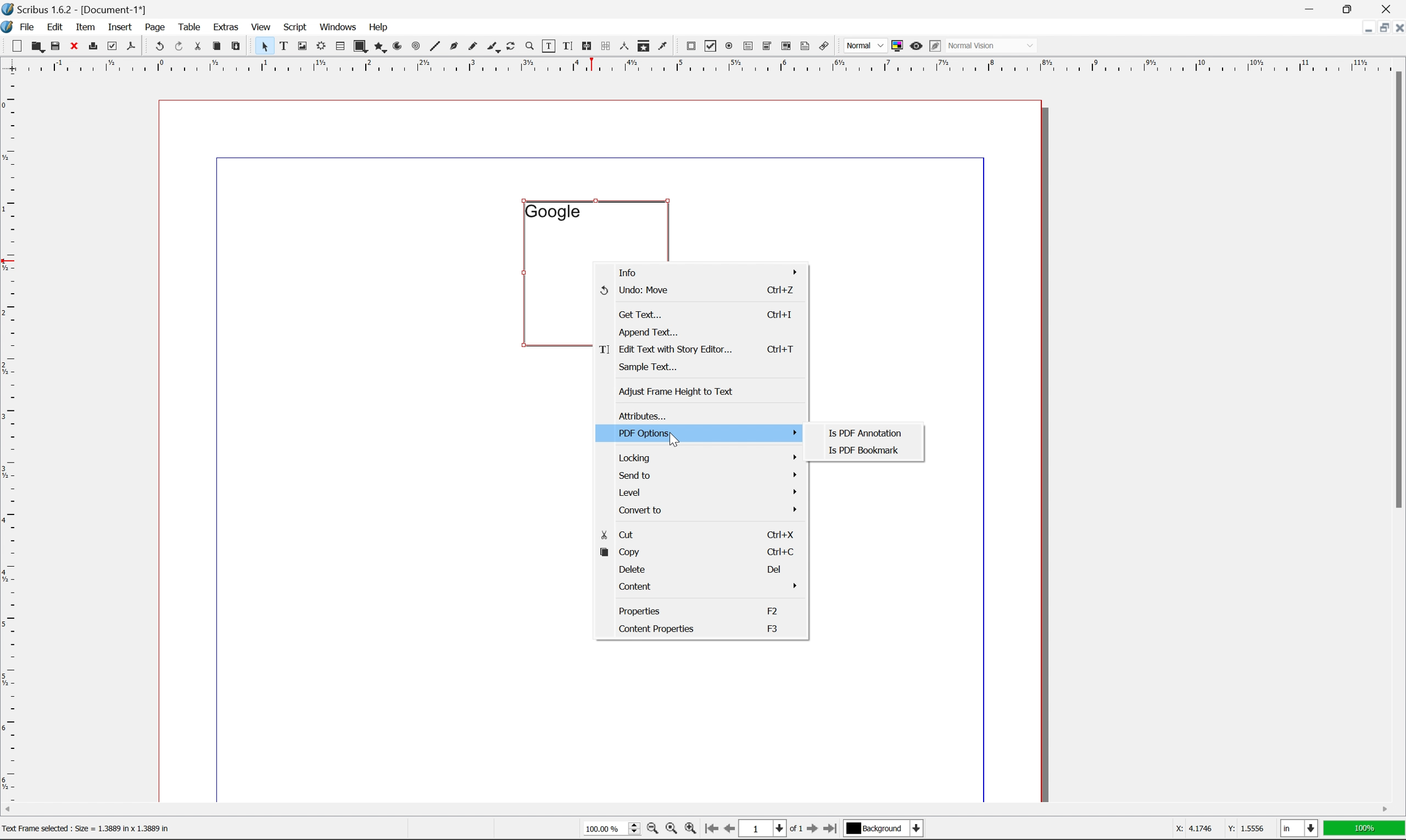  What do you see at coordinates (159, 47) in the screenshot?
I see `undo` at bounding box center [159, 47].